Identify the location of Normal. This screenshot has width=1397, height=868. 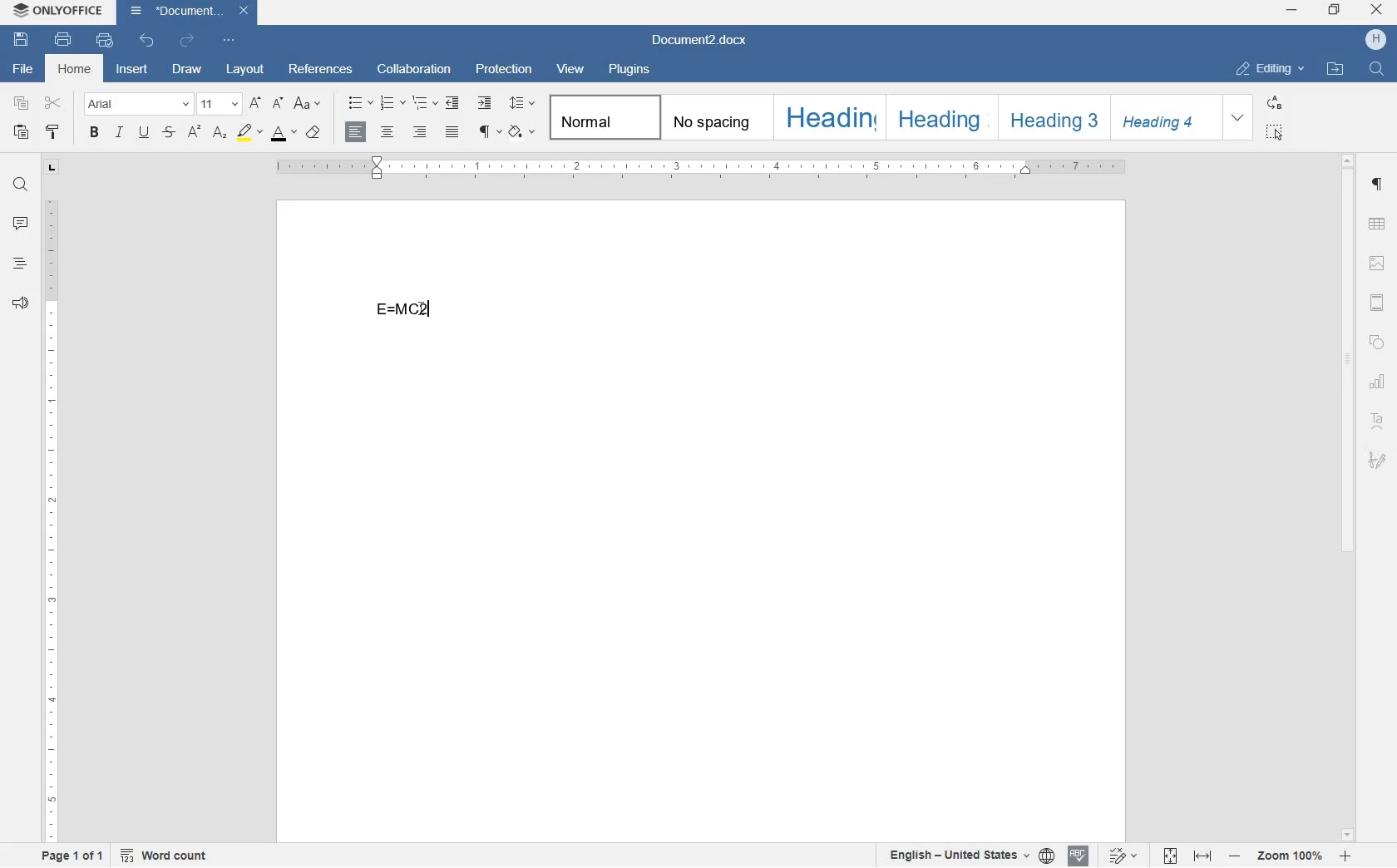
(602, 116).